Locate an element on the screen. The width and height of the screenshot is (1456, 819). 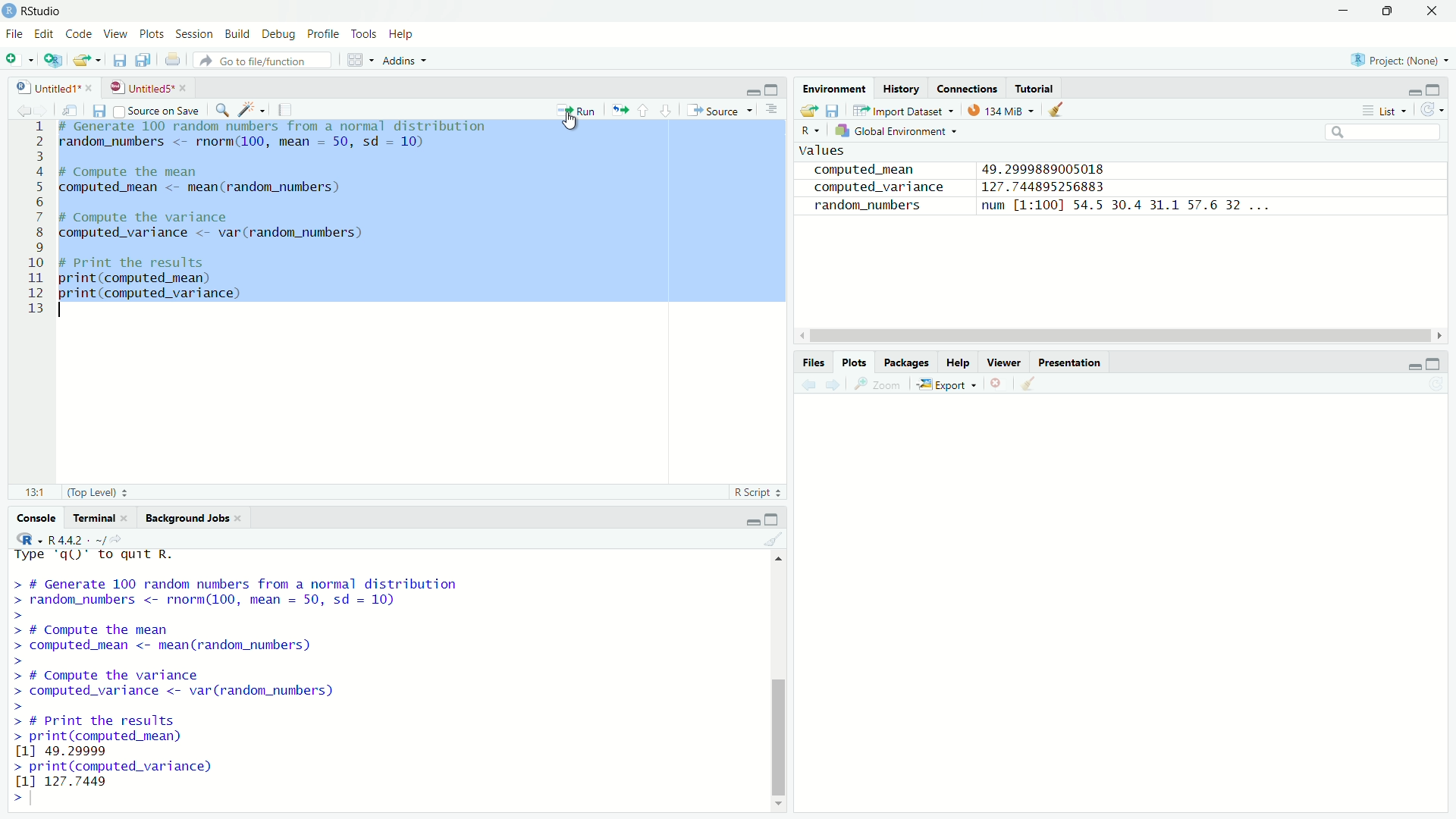
tutorial is located at coordinates (1035, 88).